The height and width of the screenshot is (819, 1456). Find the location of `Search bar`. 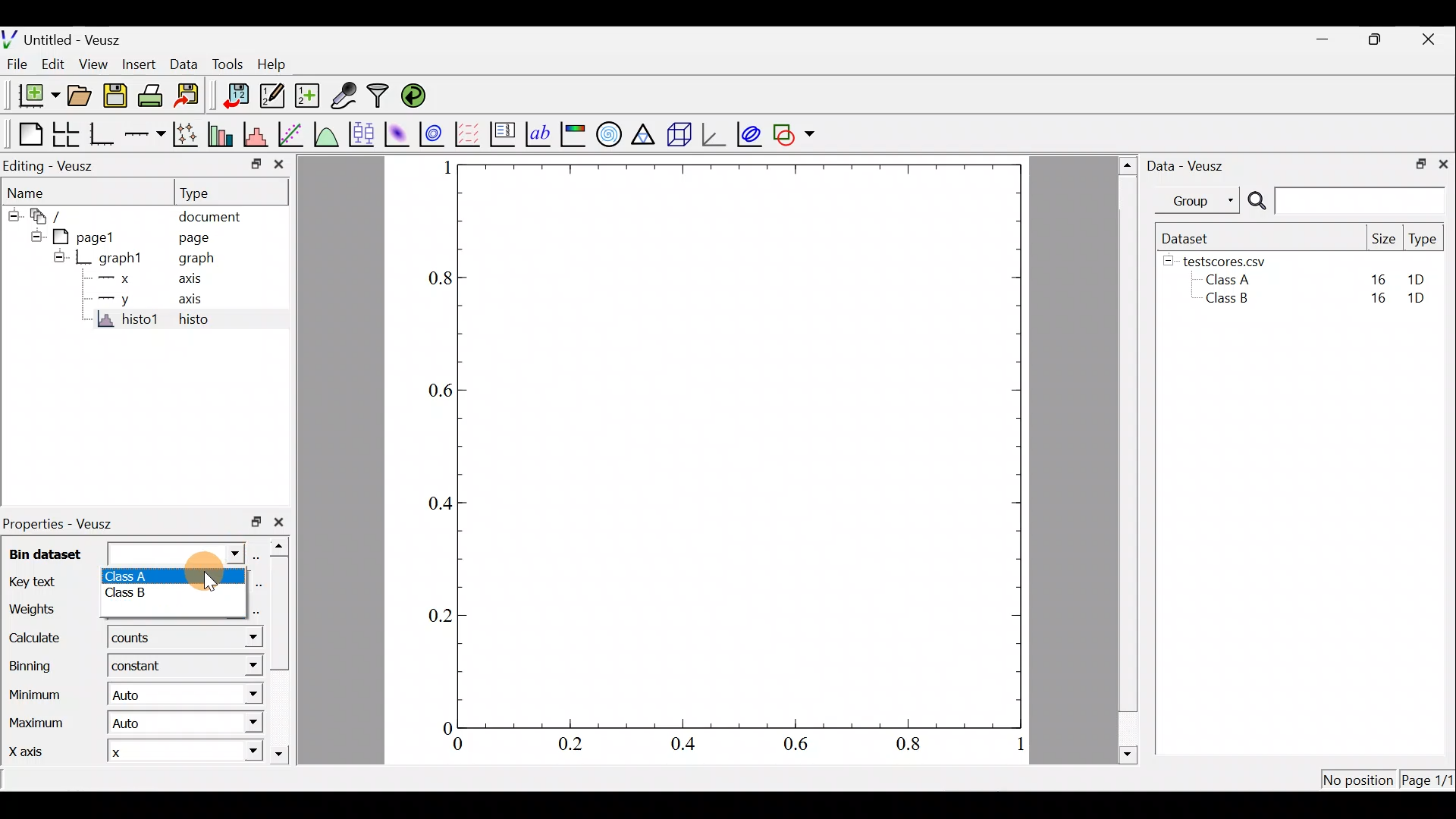

Search bar is located at coordinates (1346, 202).